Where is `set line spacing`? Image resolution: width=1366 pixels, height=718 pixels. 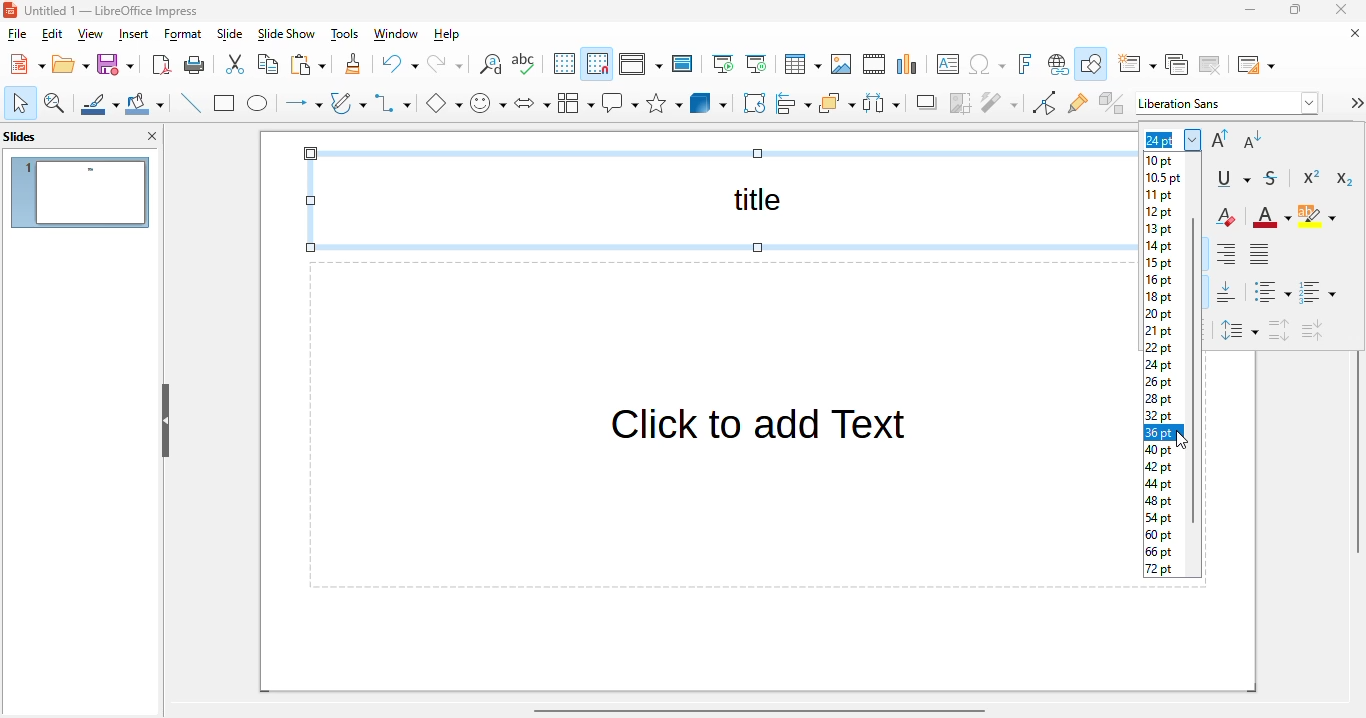
set line spacing is located at coordinates (1239, 331).